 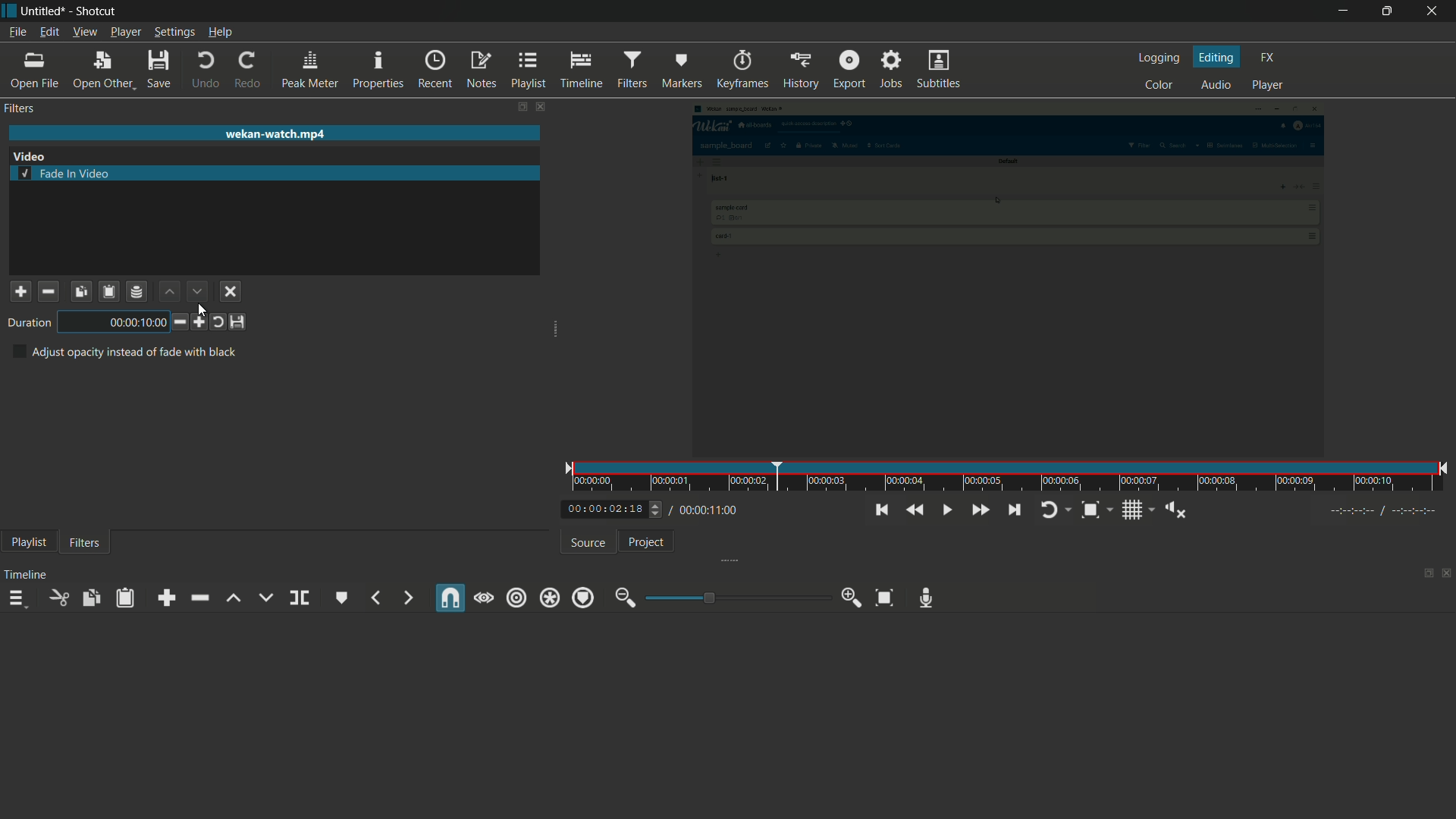 What do you see at coordinates (1014, 510) in the screenshot?
I see `skip to the next point` at bounding box center [1014, 510].